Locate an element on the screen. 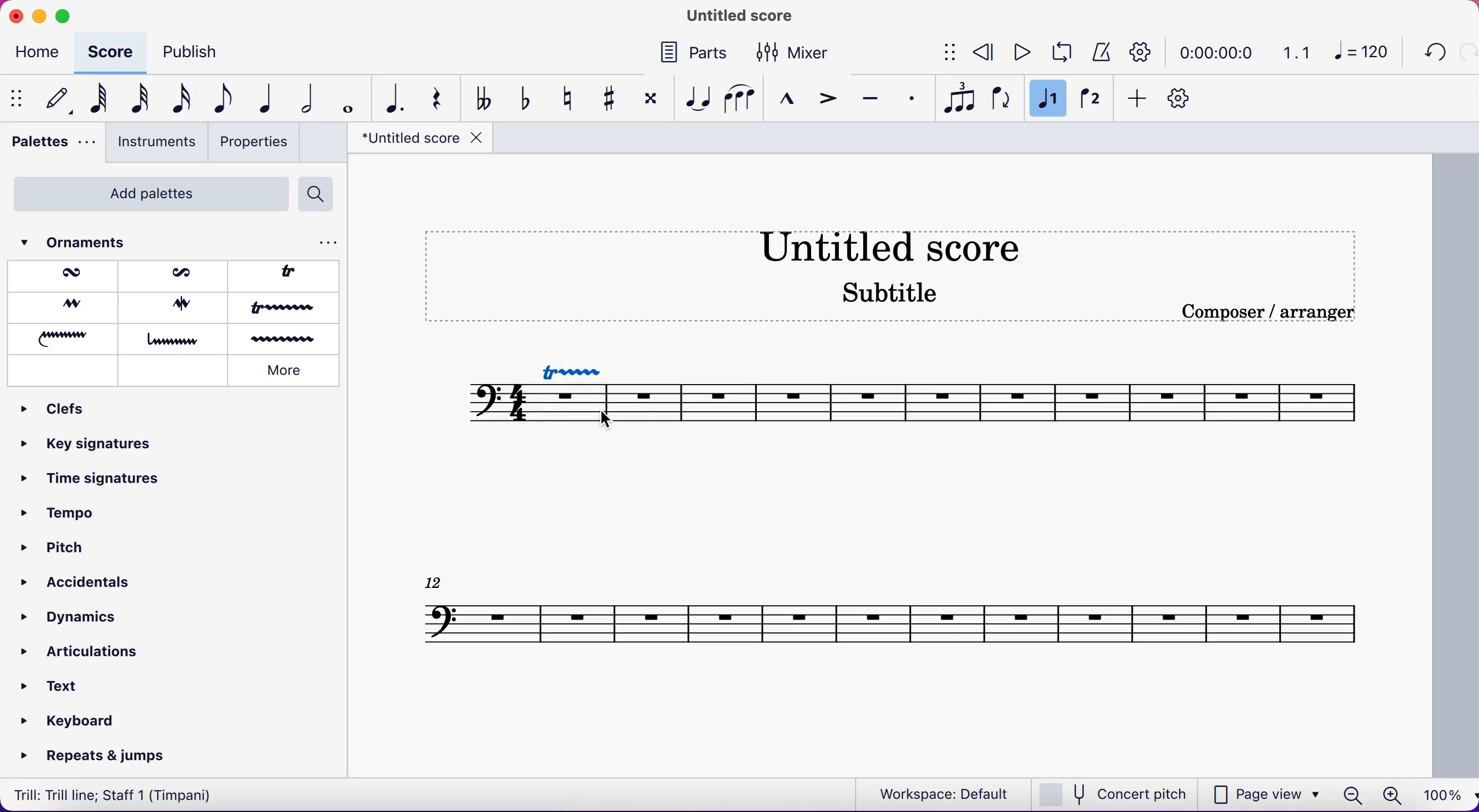  cursor is located at coordinates (608, 423).